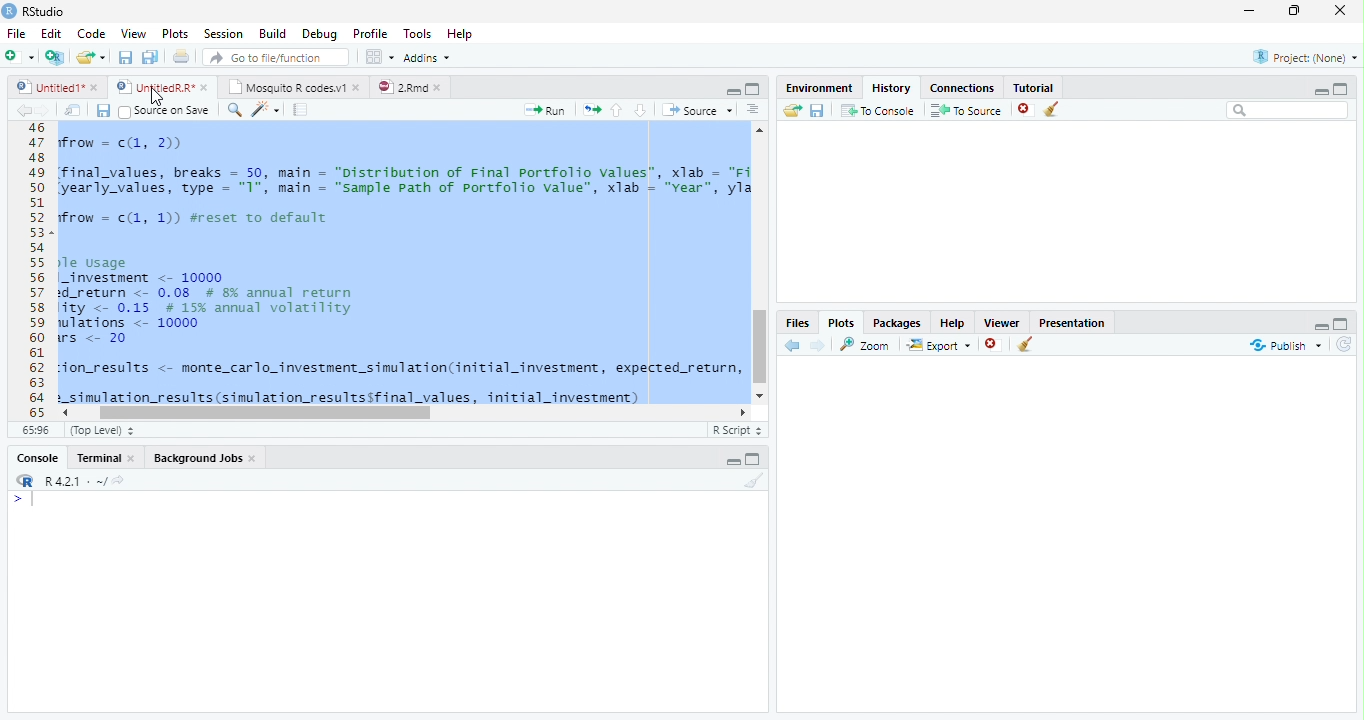 The height and width of the screenshot is (720, 1364). I want to click on monte_cario investment _simuiation{initial investment, expected_return, volatility, num simulations, num years), so click(354, 432).